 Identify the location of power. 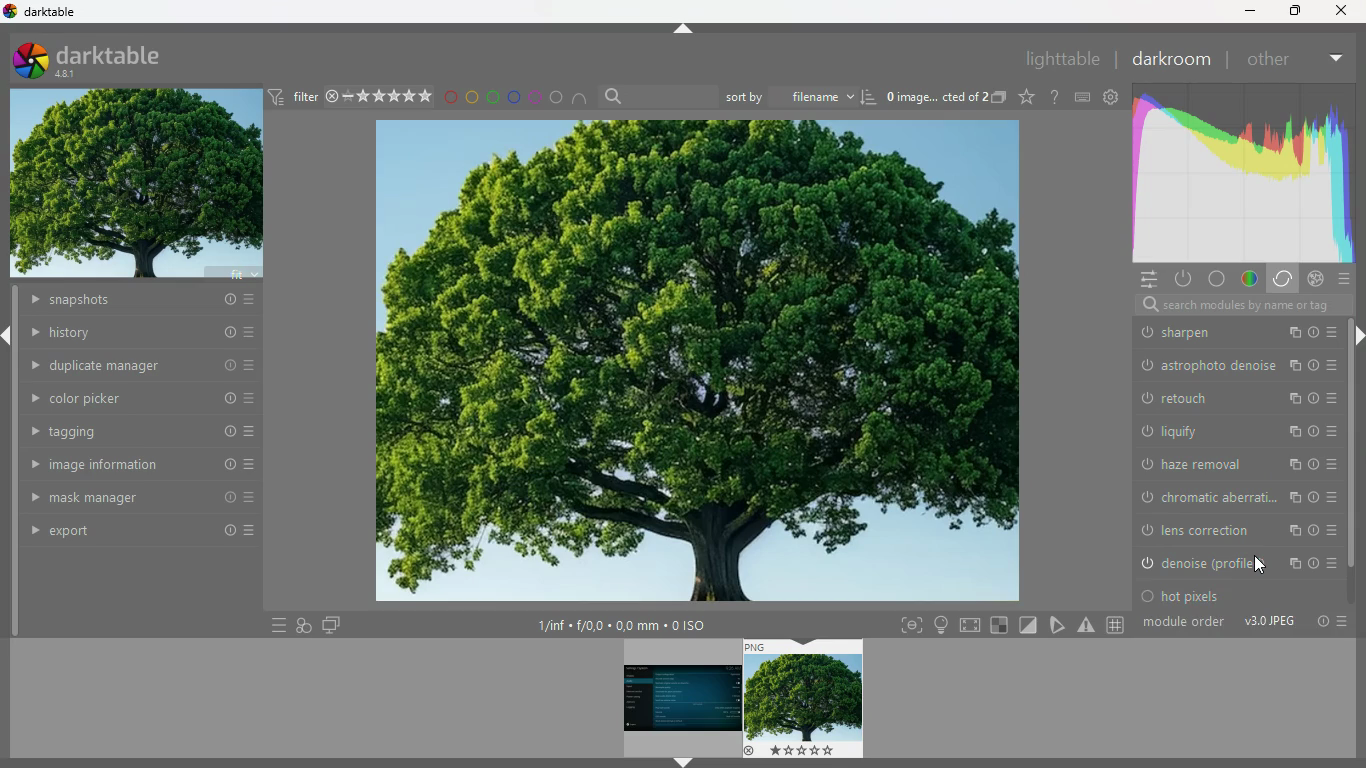
(1153, 330).